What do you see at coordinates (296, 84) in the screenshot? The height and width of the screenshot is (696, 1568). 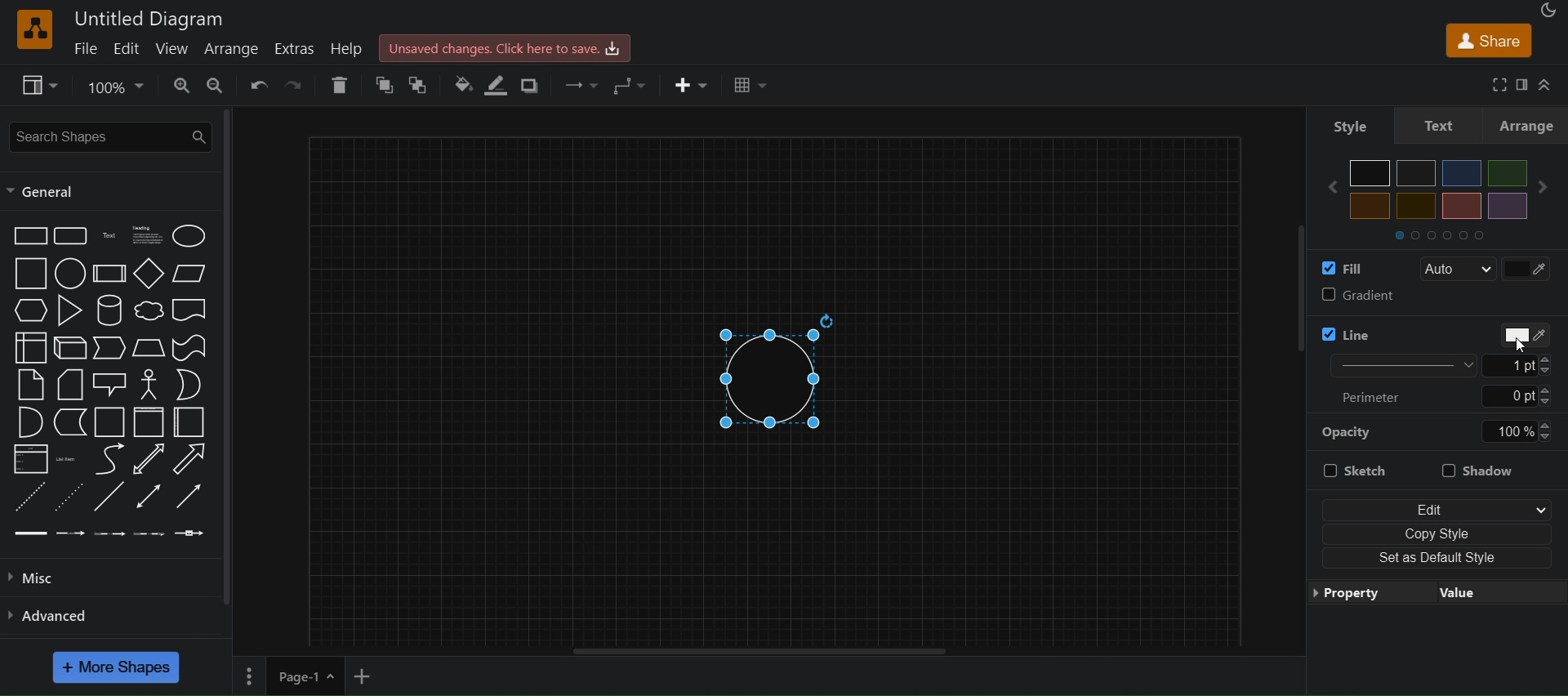 I see `redo` at bounding box center [296, 84].